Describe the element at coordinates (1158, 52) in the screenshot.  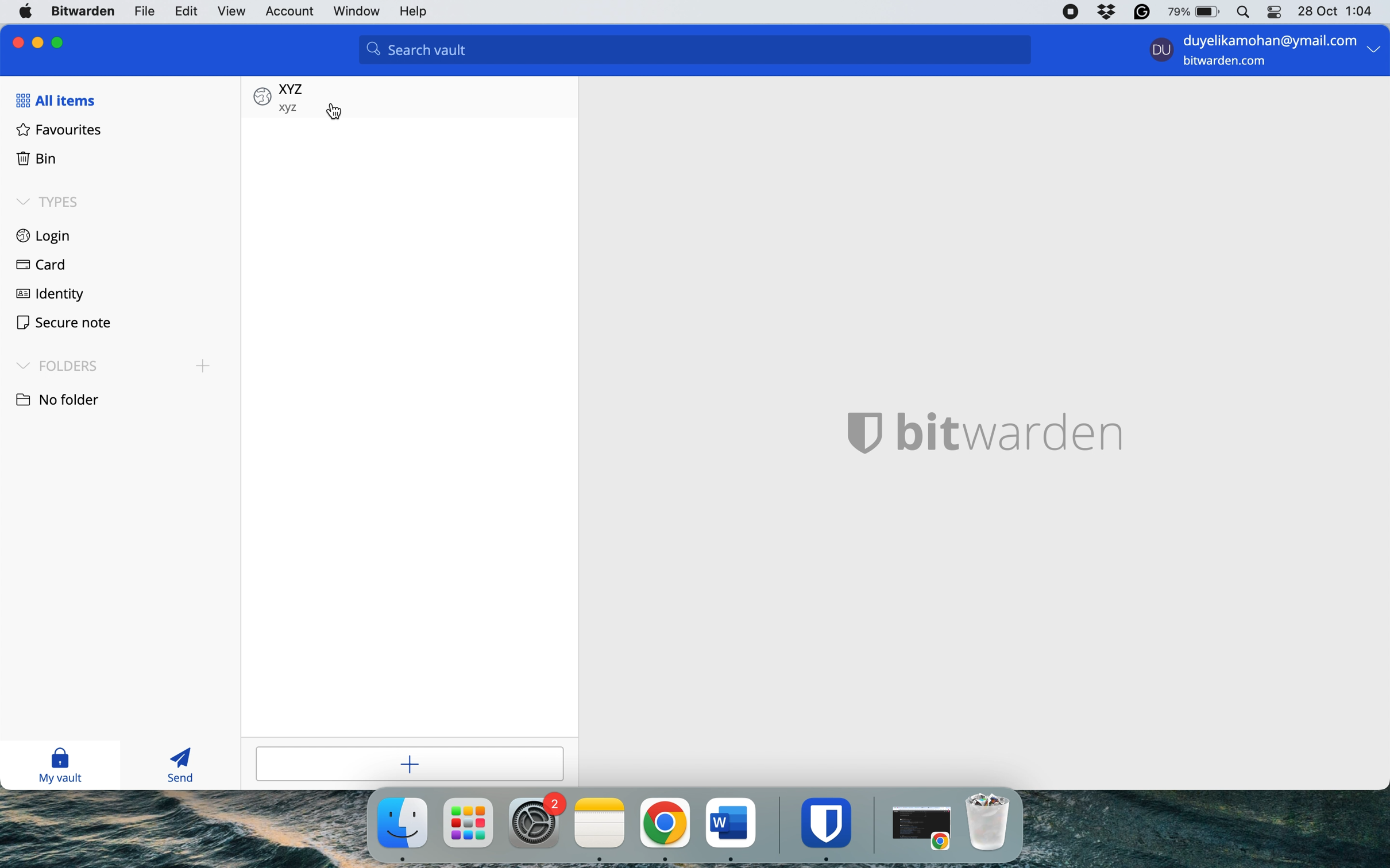
I see `user profile` at that location.